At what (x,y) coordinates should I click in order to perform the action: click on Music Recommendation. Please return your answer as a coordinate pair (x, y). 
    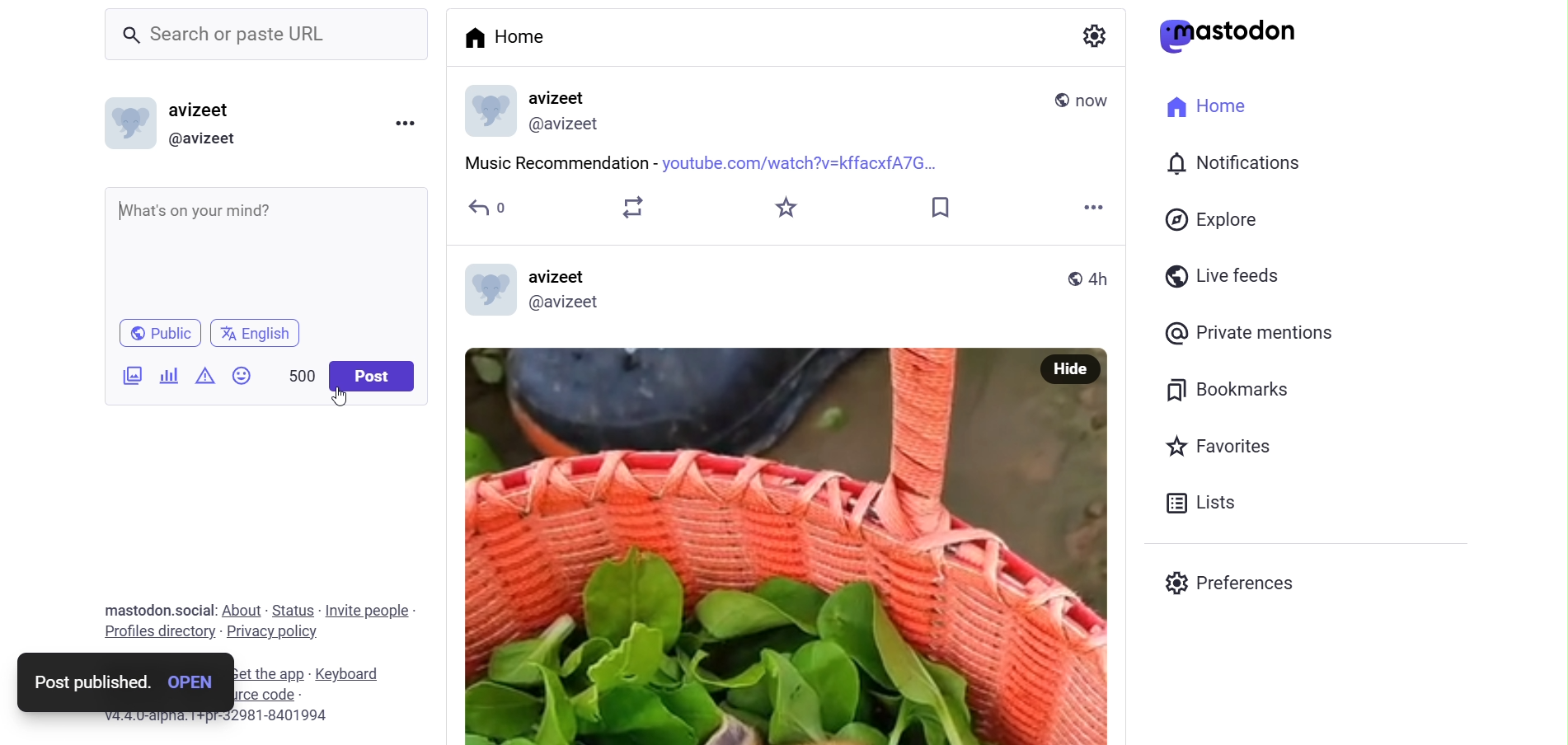
    Looking at the image, I should click on (559, 162).